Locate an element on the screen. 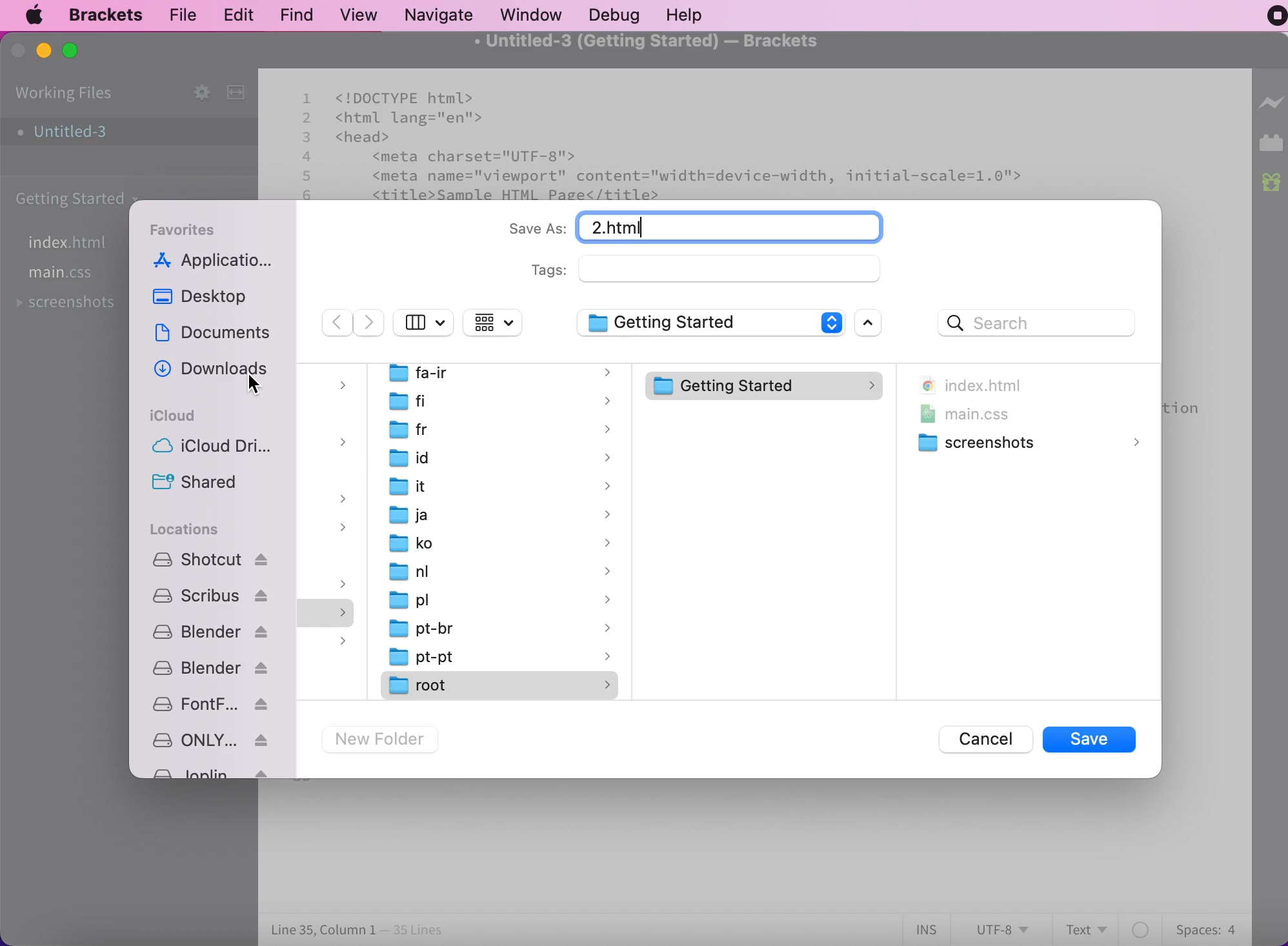 This screenshot has height=946, width=1288. maximize is located at coordinates (72, 55).